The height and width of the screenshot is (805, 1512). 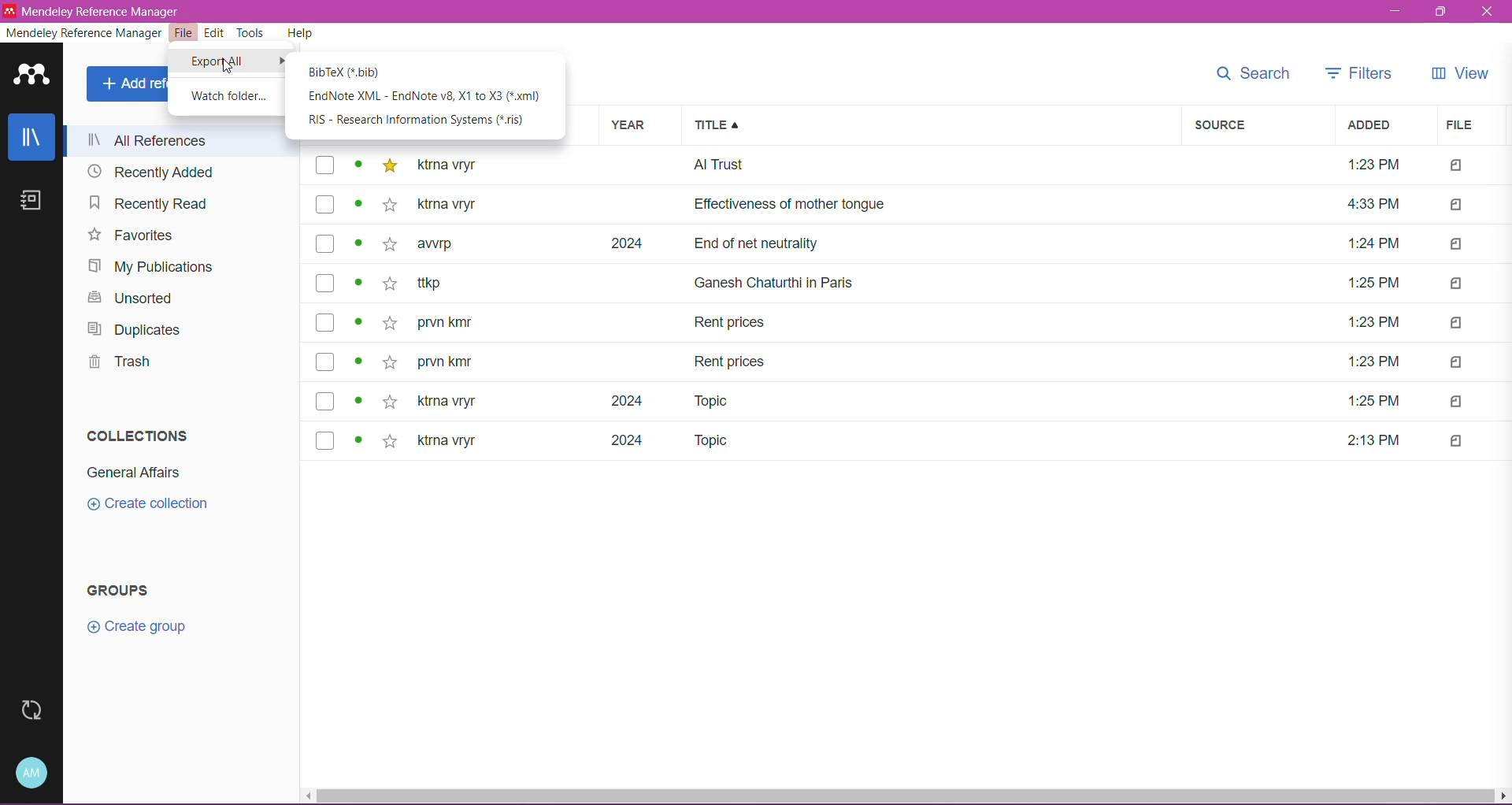 What do you see at coordinates (216, 33) in the screenshot?
I see `Edit` at bounding box center [216, 33].